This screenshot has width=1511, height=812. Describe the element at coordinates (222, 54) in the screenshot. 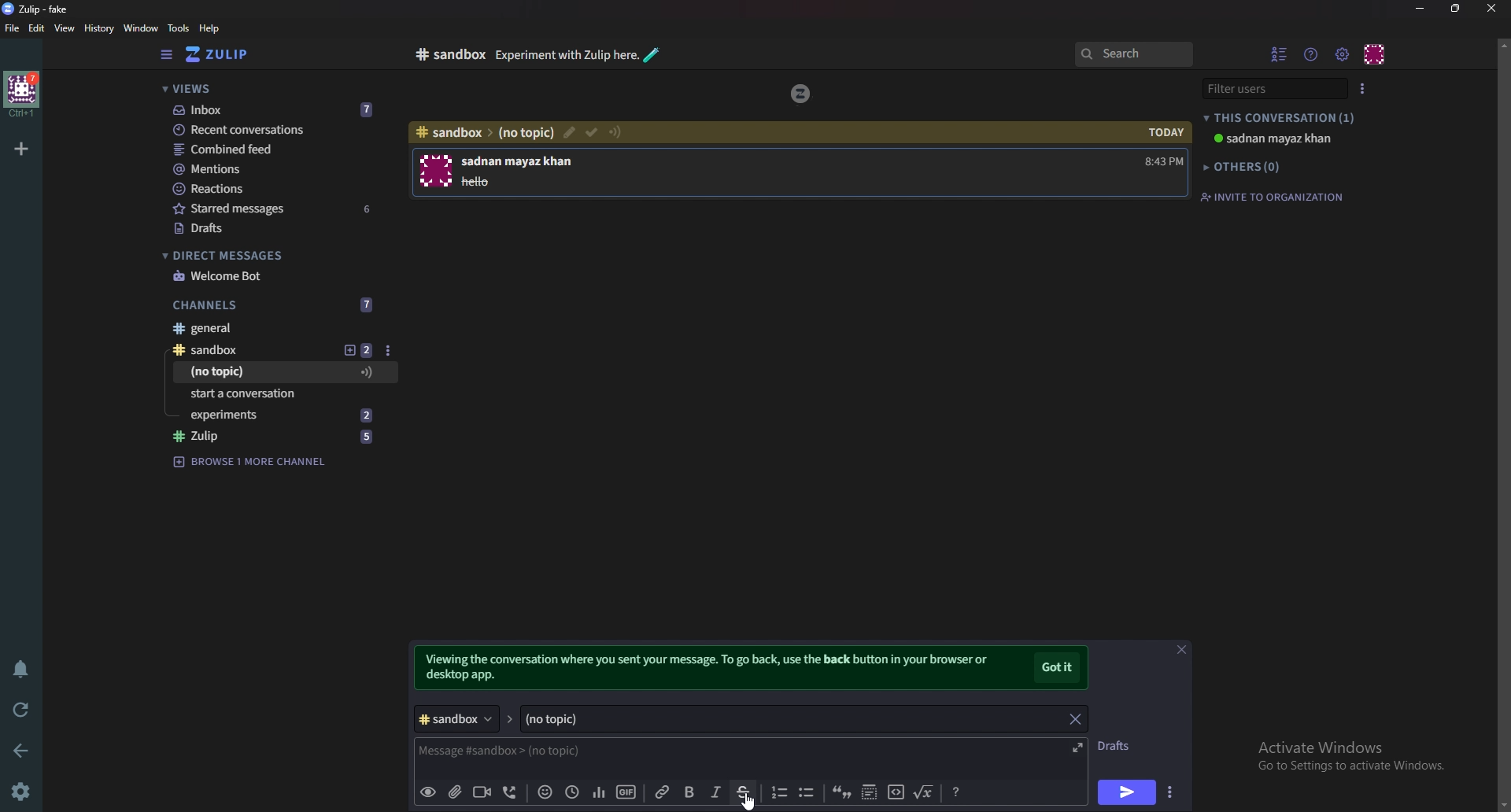

I see `Home view` at that location.